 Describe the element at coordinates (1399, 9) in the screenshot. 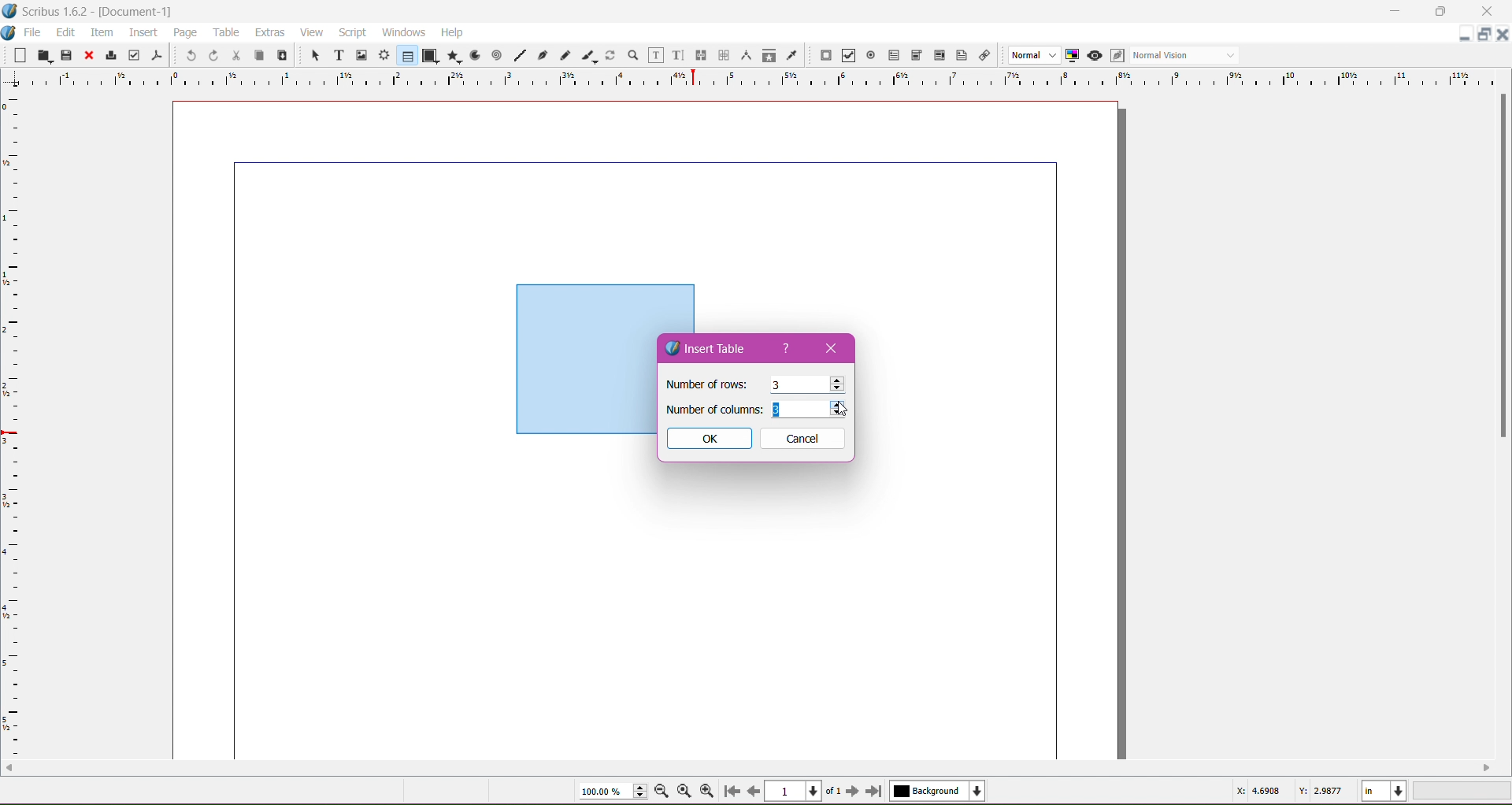

I see `Minimize` at that location.